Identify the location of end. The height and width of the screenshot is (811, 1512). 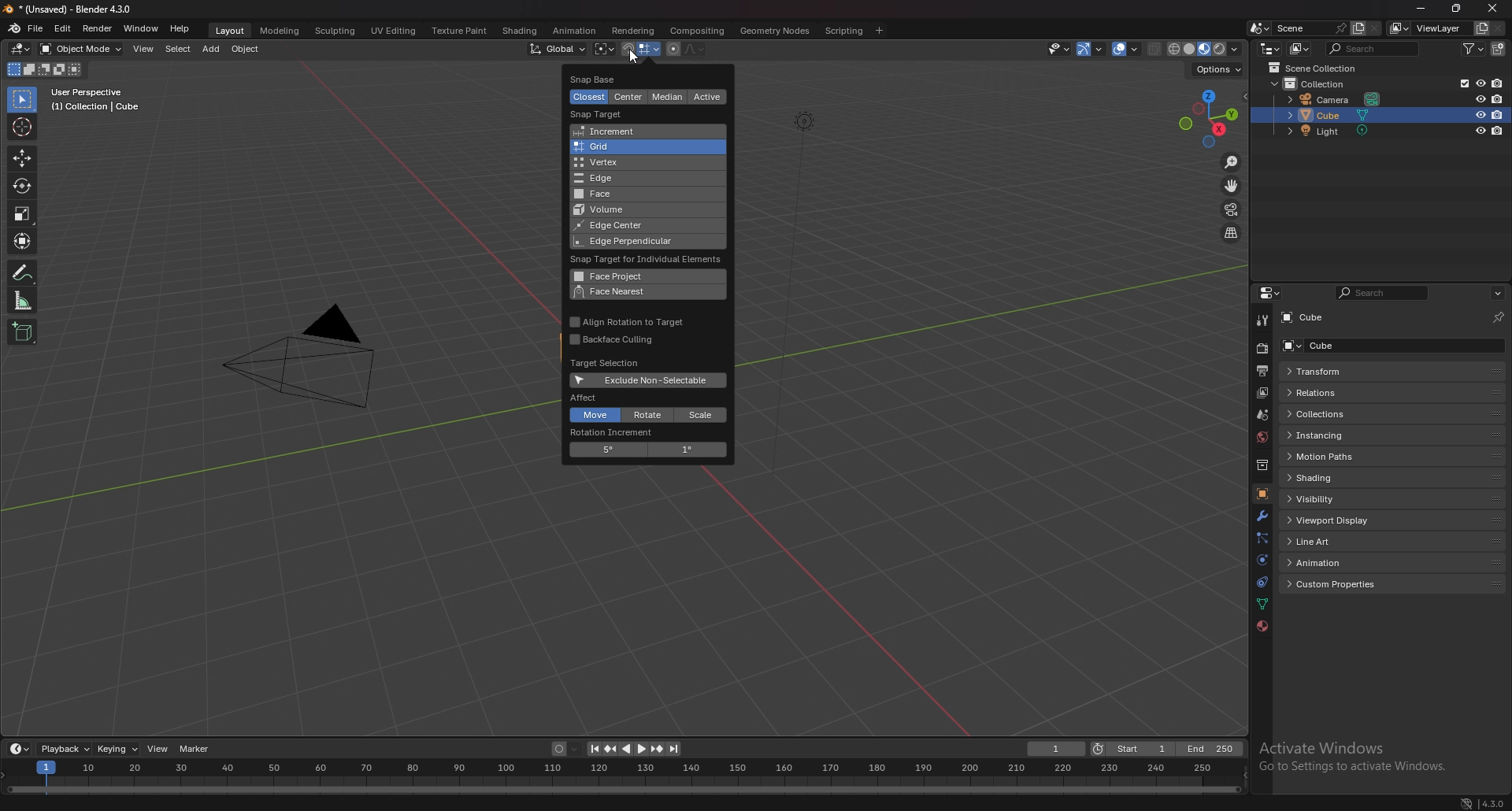
(1208, 750).